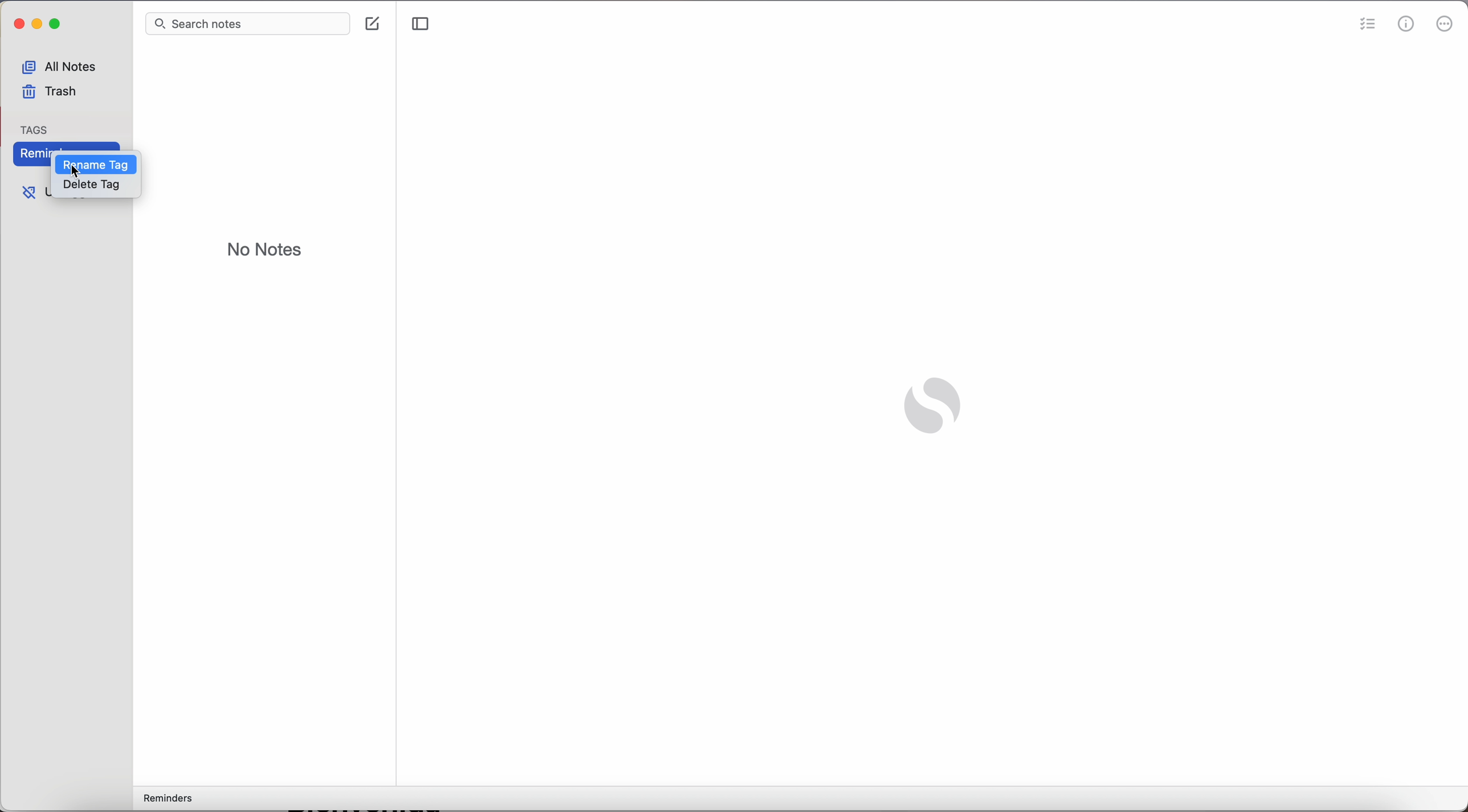 The width and height of the screenshot is (1468, 812). Describe the element at coordinates (91, 185) in the screenshot. I see `delete tag` at that location.